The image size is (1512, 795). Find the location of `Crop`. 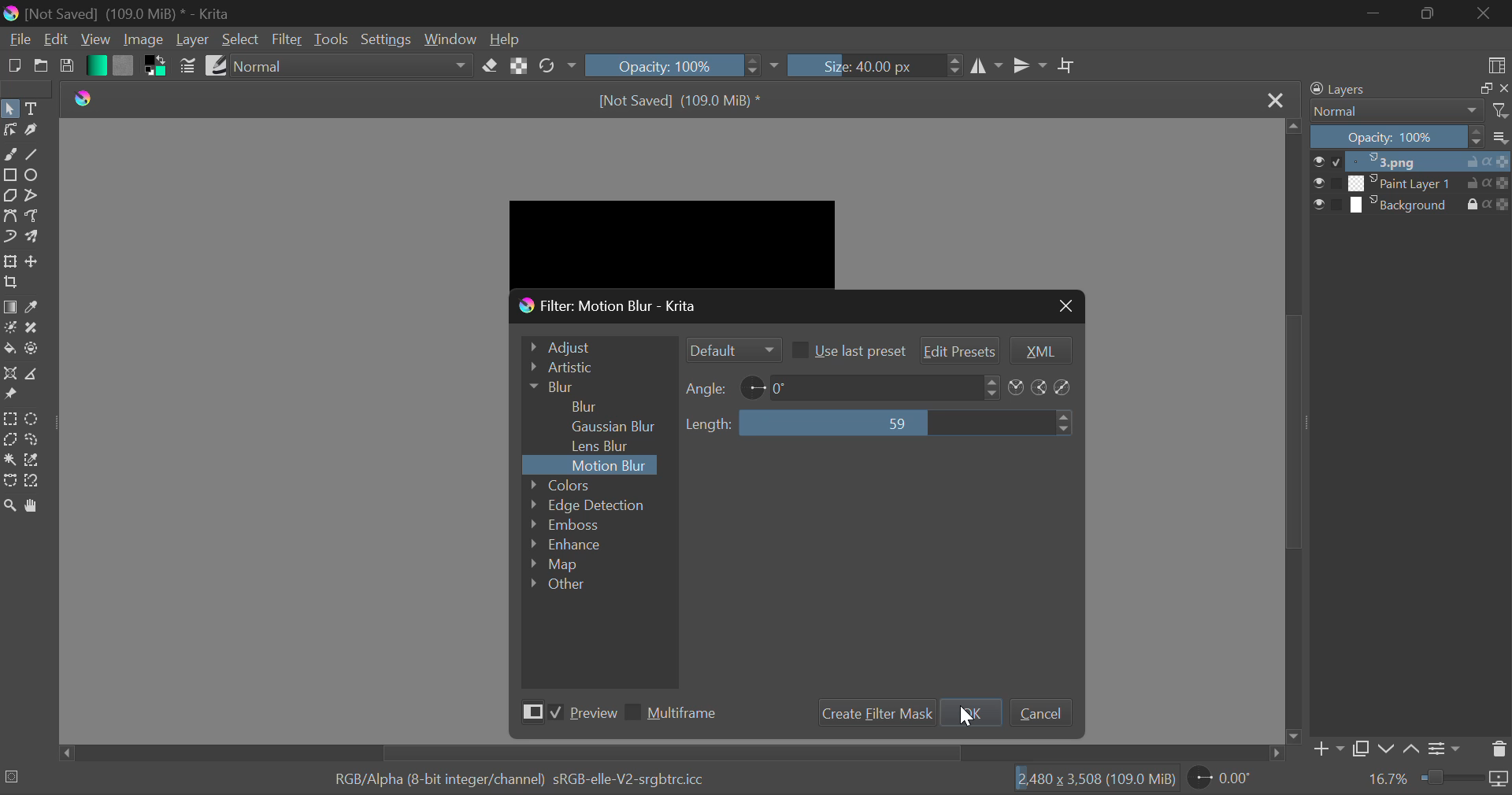

Crop is located at coordinates (11, 283).